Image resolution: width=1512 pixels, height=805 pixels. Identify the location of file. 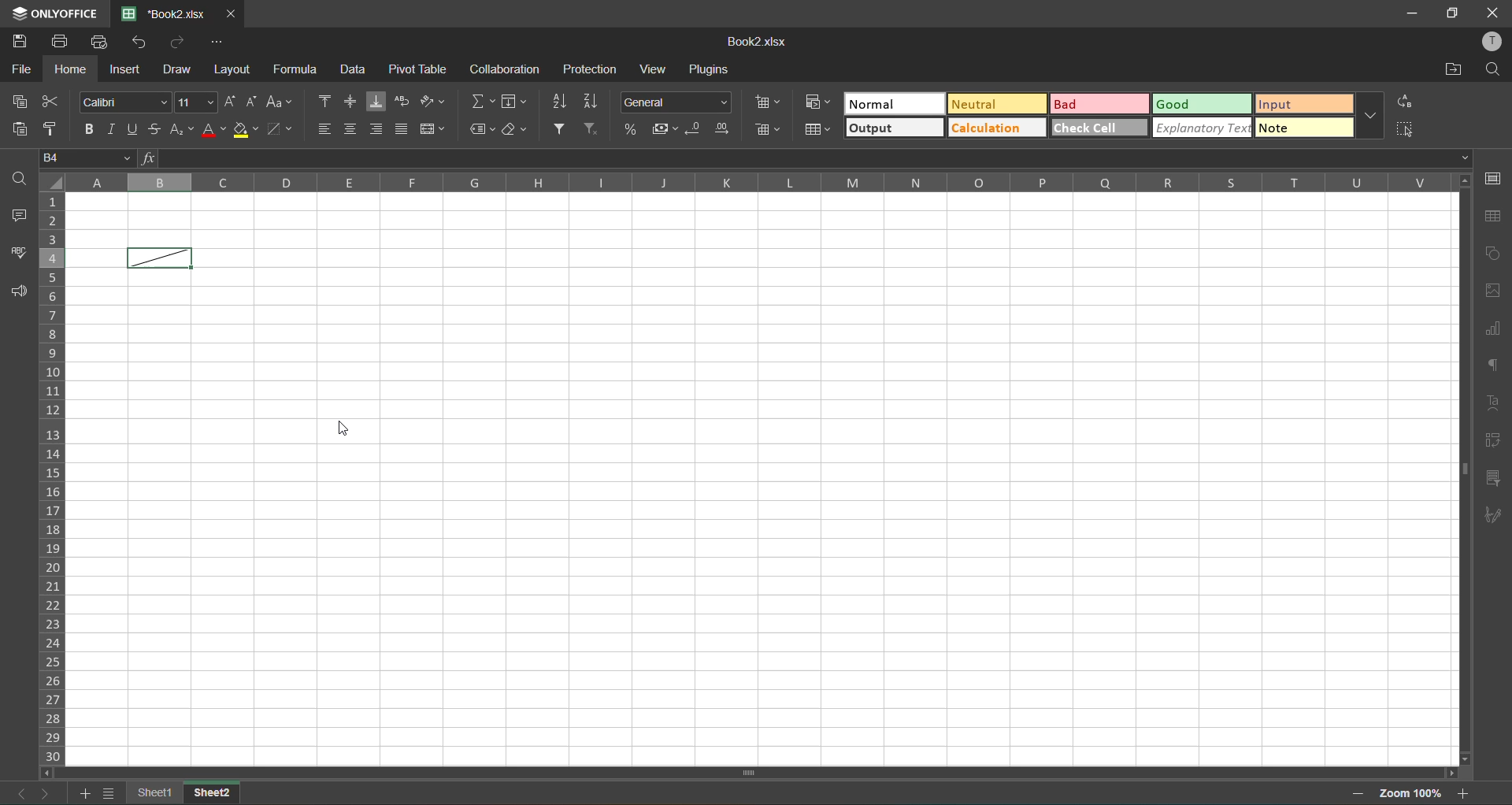
(25, 69).